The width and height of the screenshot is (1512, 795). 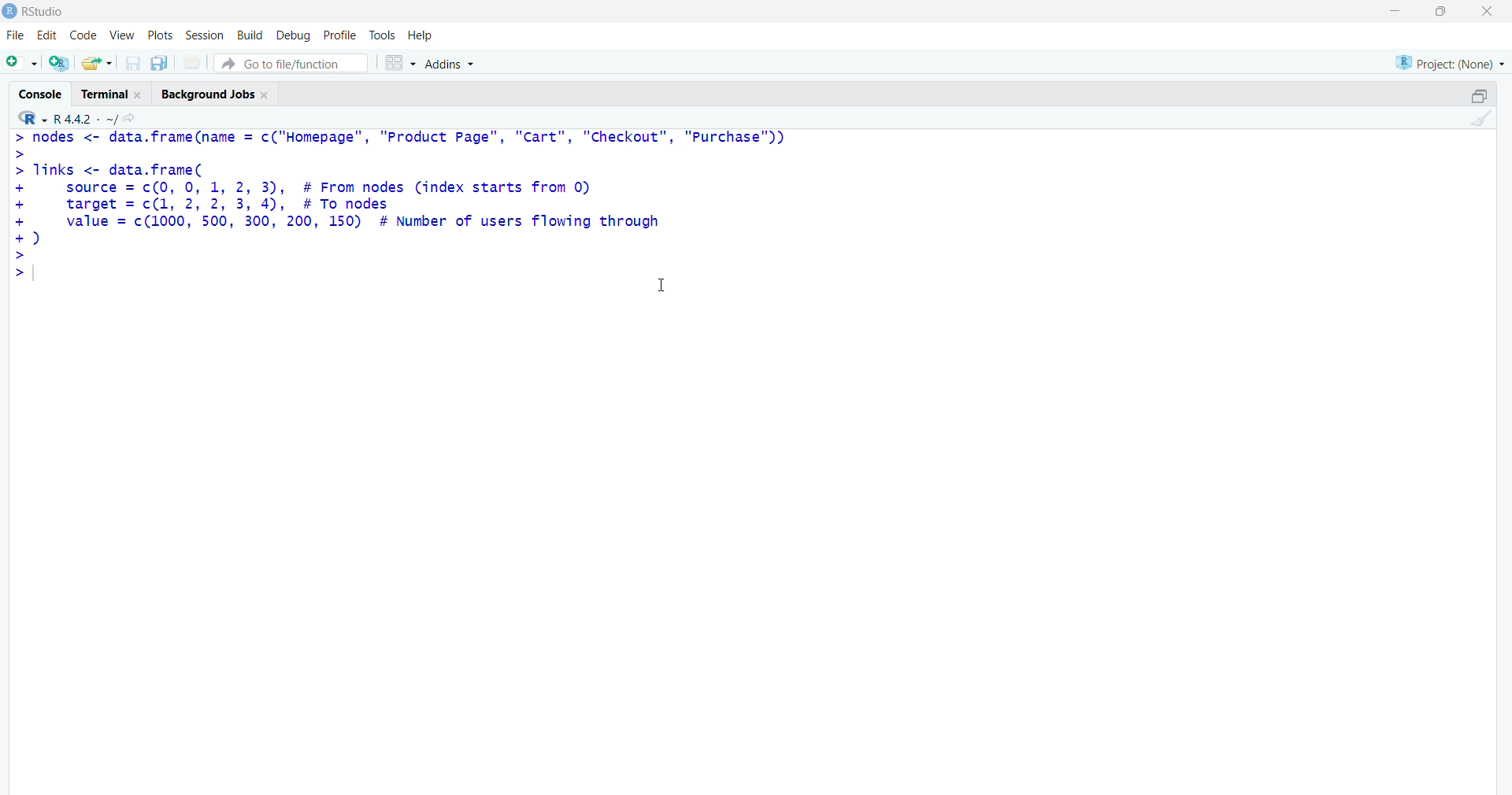 What do you see at coordinates (101, 119) in the screenshot?
I see `R-R442 - ~/` at bounding box center [101, 119].